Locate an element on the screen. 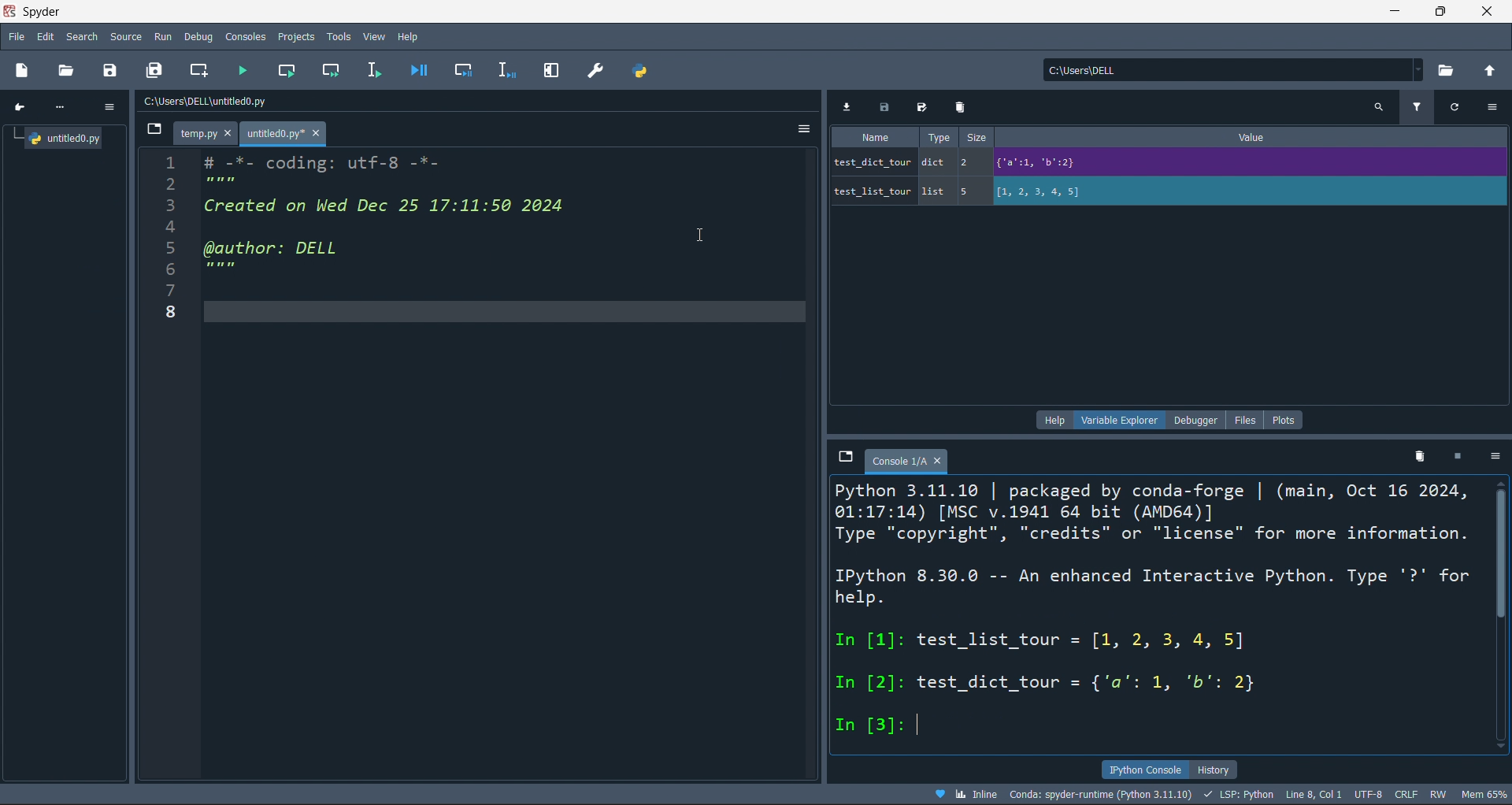 The height and width of the screenshot is (805, 1512). cursor is located at coordinates (698, 233).